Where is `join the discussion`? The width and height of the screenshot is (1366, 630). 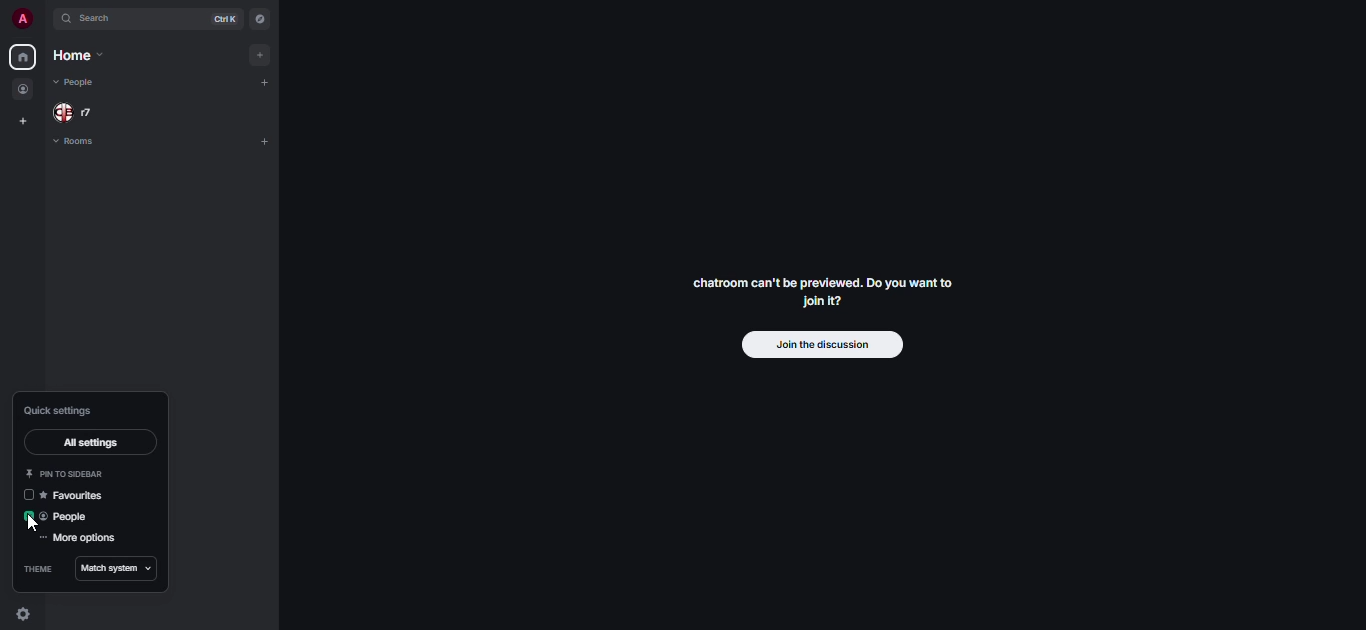
join the discussion is located at coordinates (820, 346).